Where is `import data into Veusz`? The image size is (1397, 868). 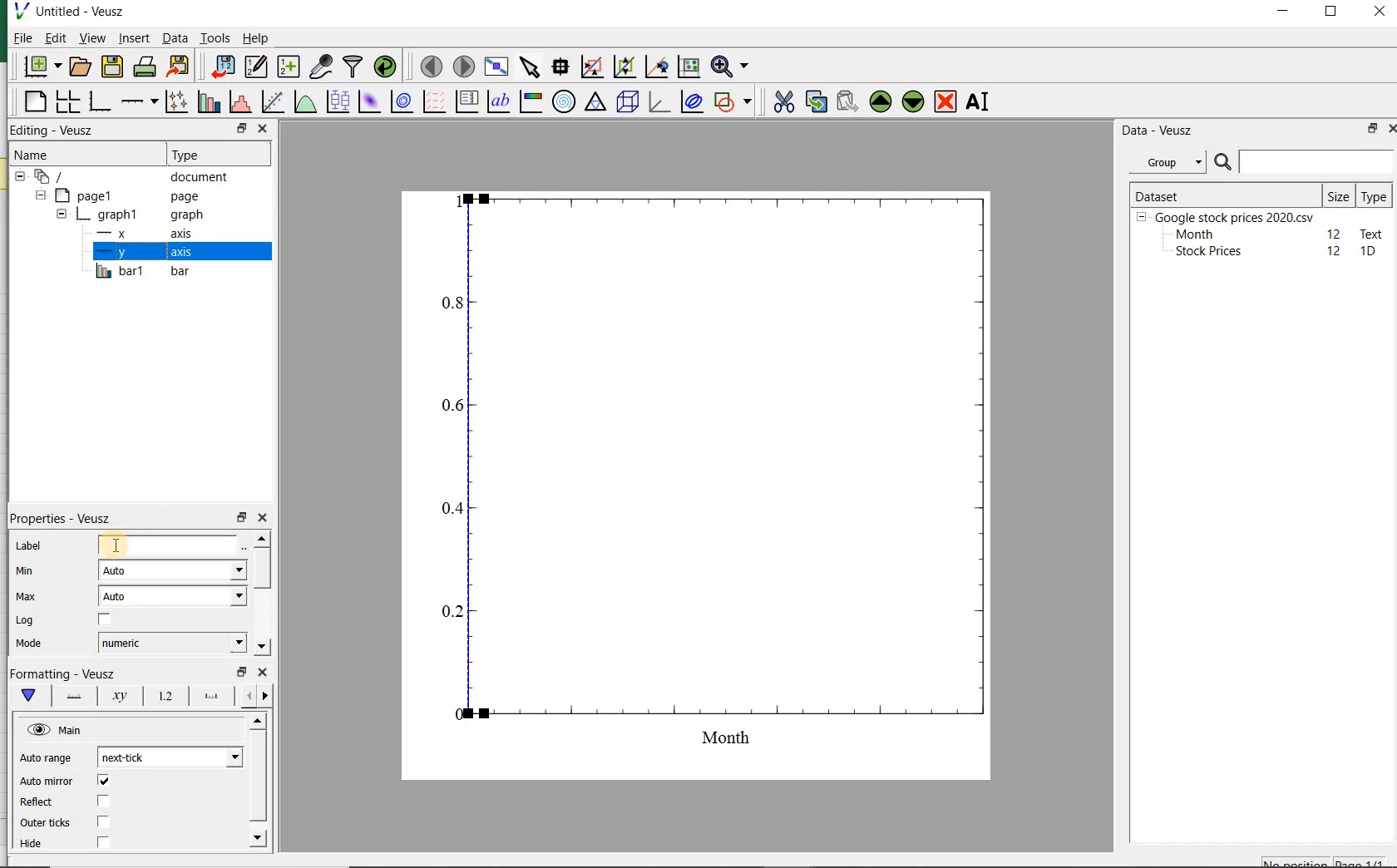 import data into Veusz is located at coordinates (220, 67).